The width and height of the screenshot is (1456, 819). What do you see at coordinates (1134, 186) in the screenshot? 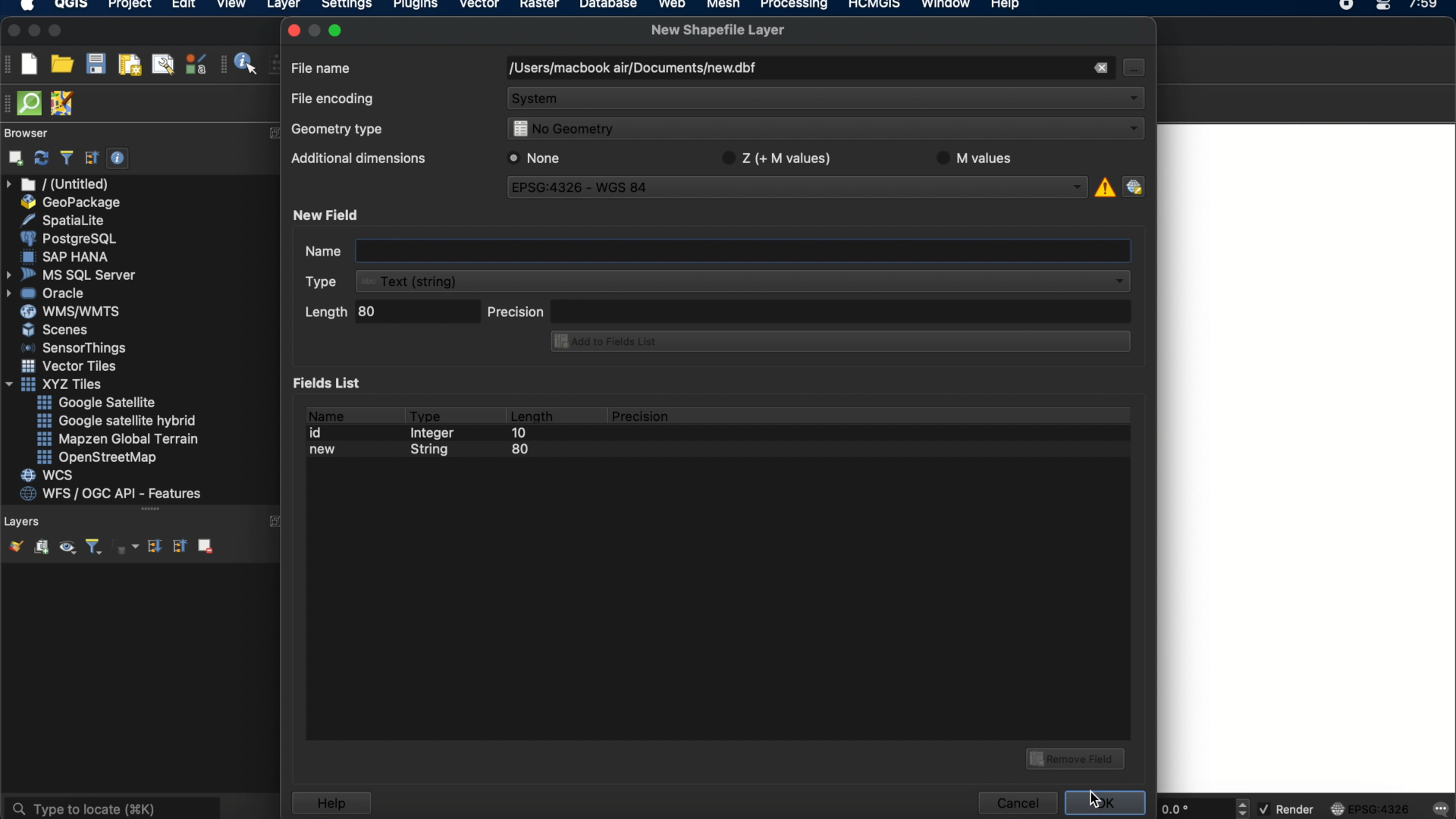
I see `select crs` at bounding box center [1134, 186].